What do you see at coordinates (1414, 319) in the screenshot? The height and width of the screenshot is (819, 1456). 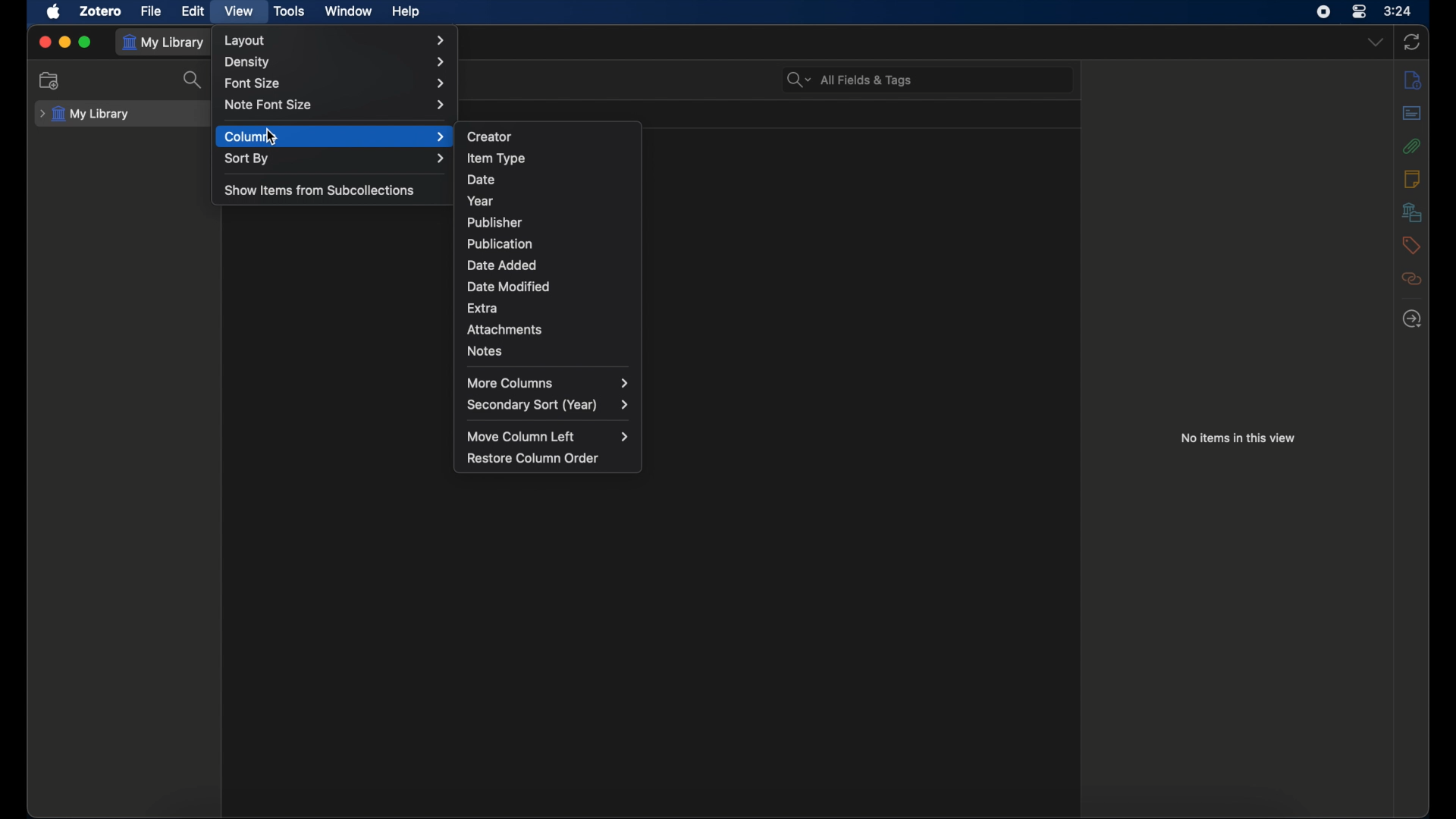 I see `locate` at bounding box center [1414, 319].